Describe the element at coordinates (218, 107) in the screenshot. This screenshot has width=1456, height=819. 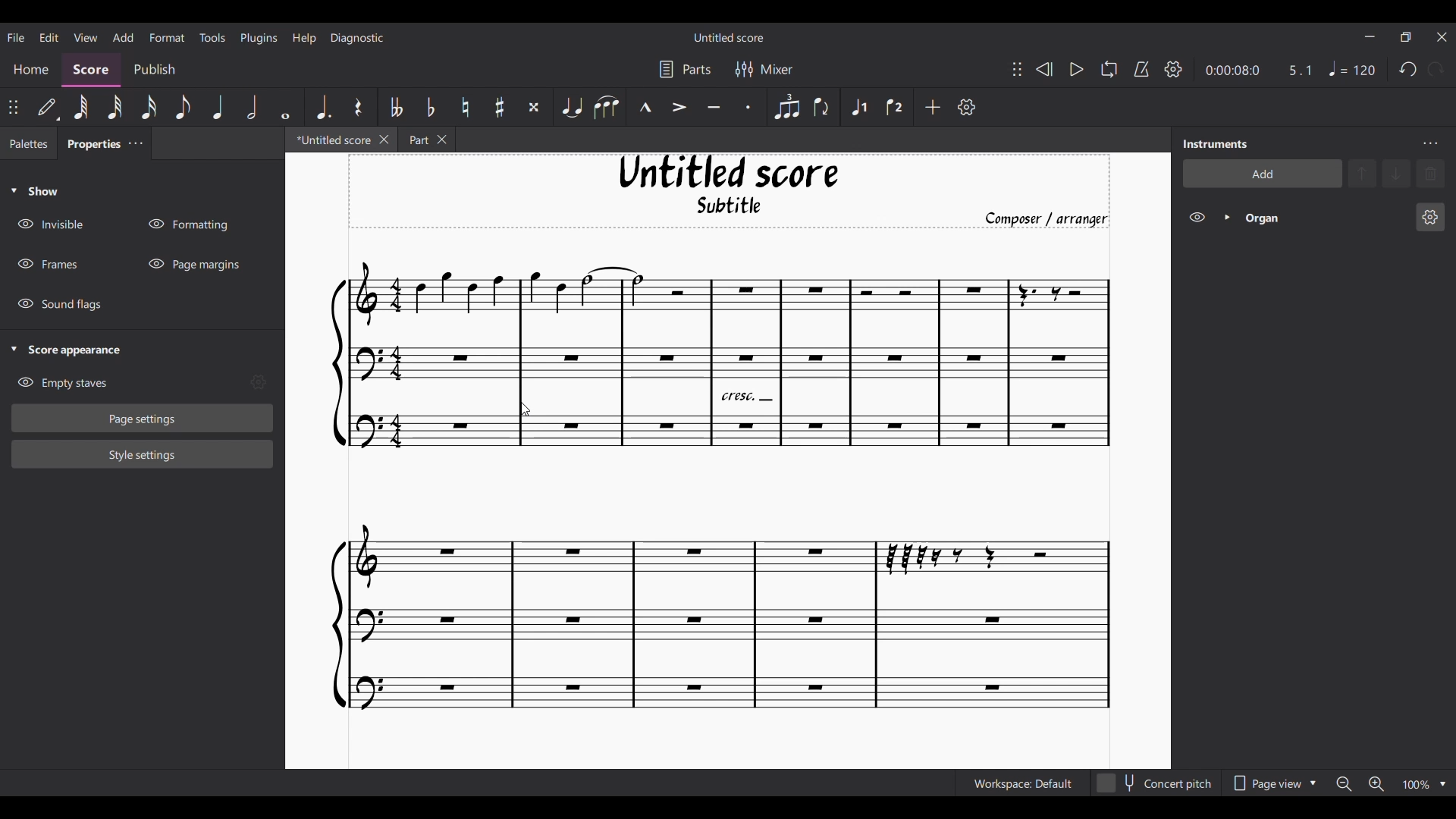
I see `Quarter note` at that location.